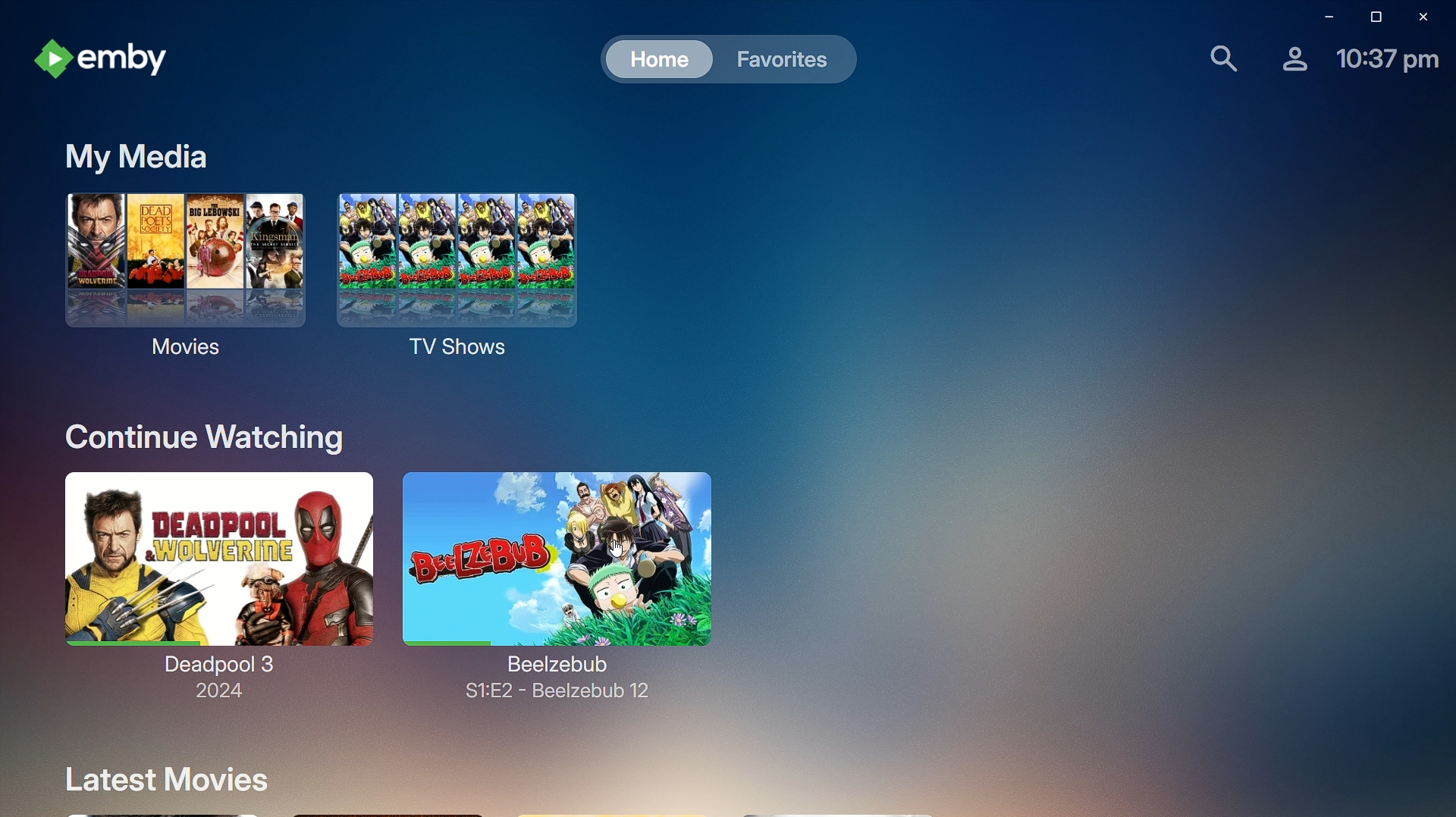 The image size is (1456, 817). What do you see at coordinates (1327, 17) in the screenshot?
I see `Minimize` at bounding box center [1327, 17].